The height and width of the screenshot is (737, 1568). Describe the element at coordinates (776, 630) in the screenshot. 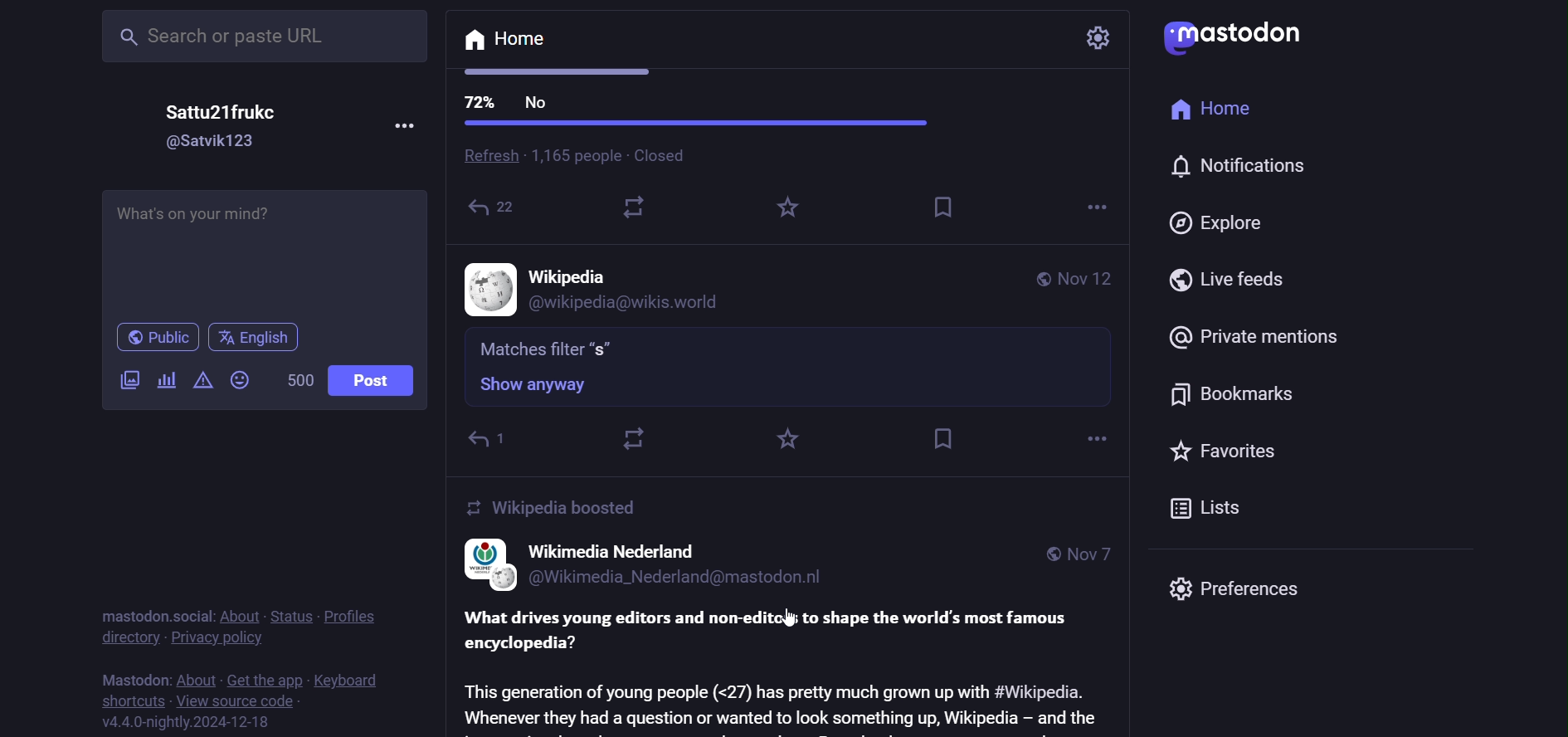

I see `What drives young editors and non-editcly to shape the world’s most famous
encyclopedia?` at that location.